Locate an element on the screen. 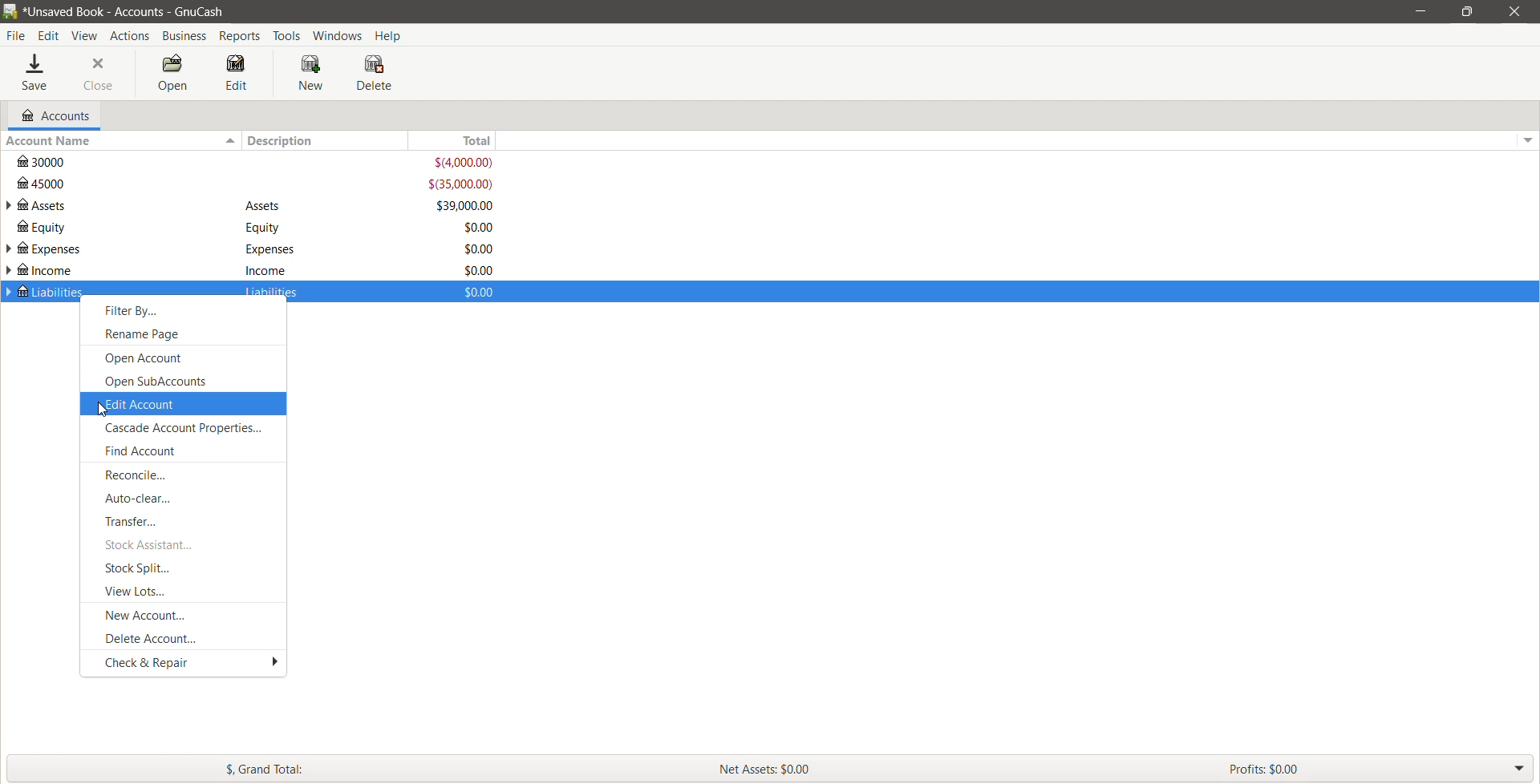 This screenshot has width=1540, height=784. expand subaccounts is located at coordinates (10, 292).